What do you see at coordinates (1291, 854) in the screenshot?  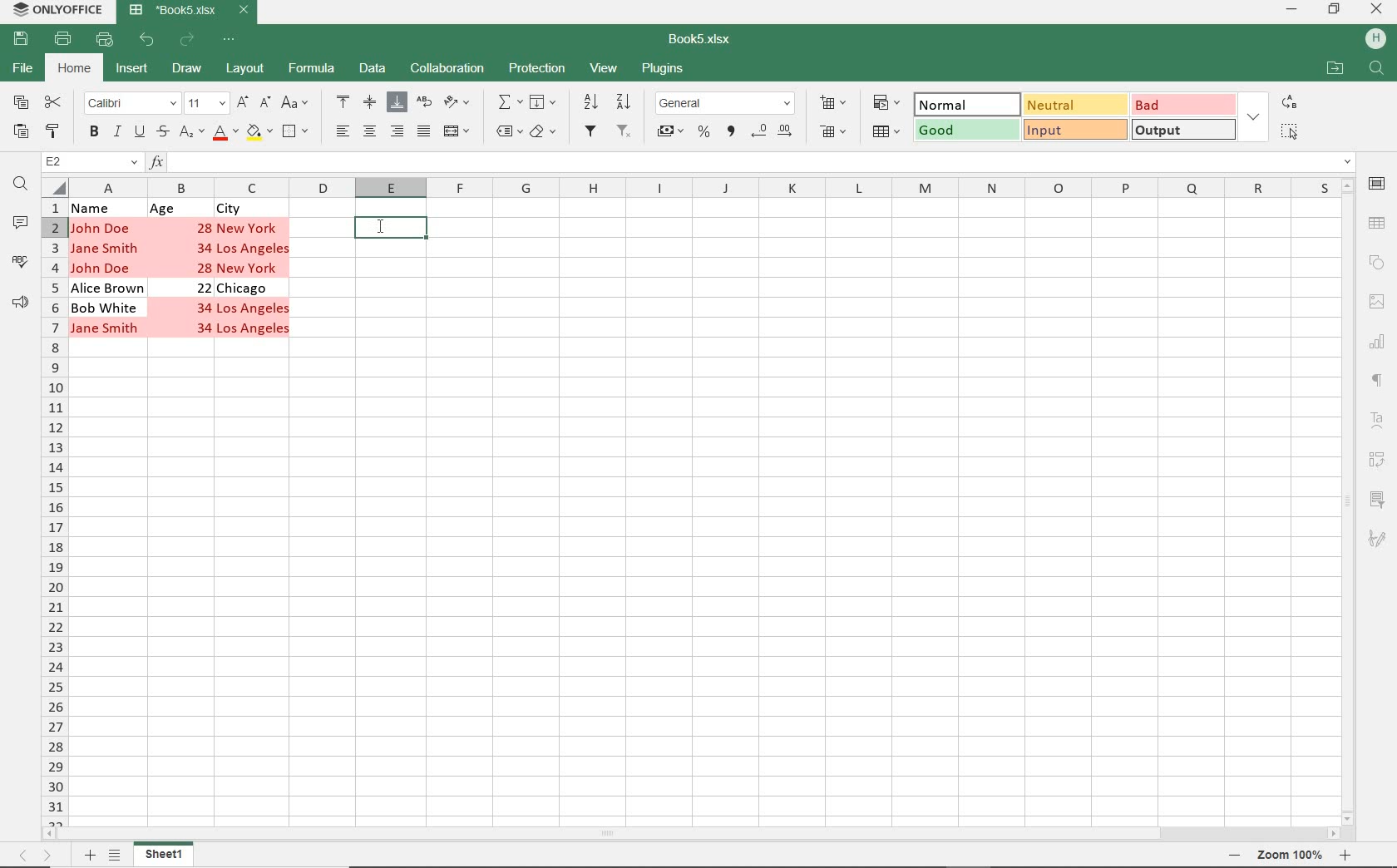 I see `Zoom out or zoom in` at bounding box center [1291, 854].